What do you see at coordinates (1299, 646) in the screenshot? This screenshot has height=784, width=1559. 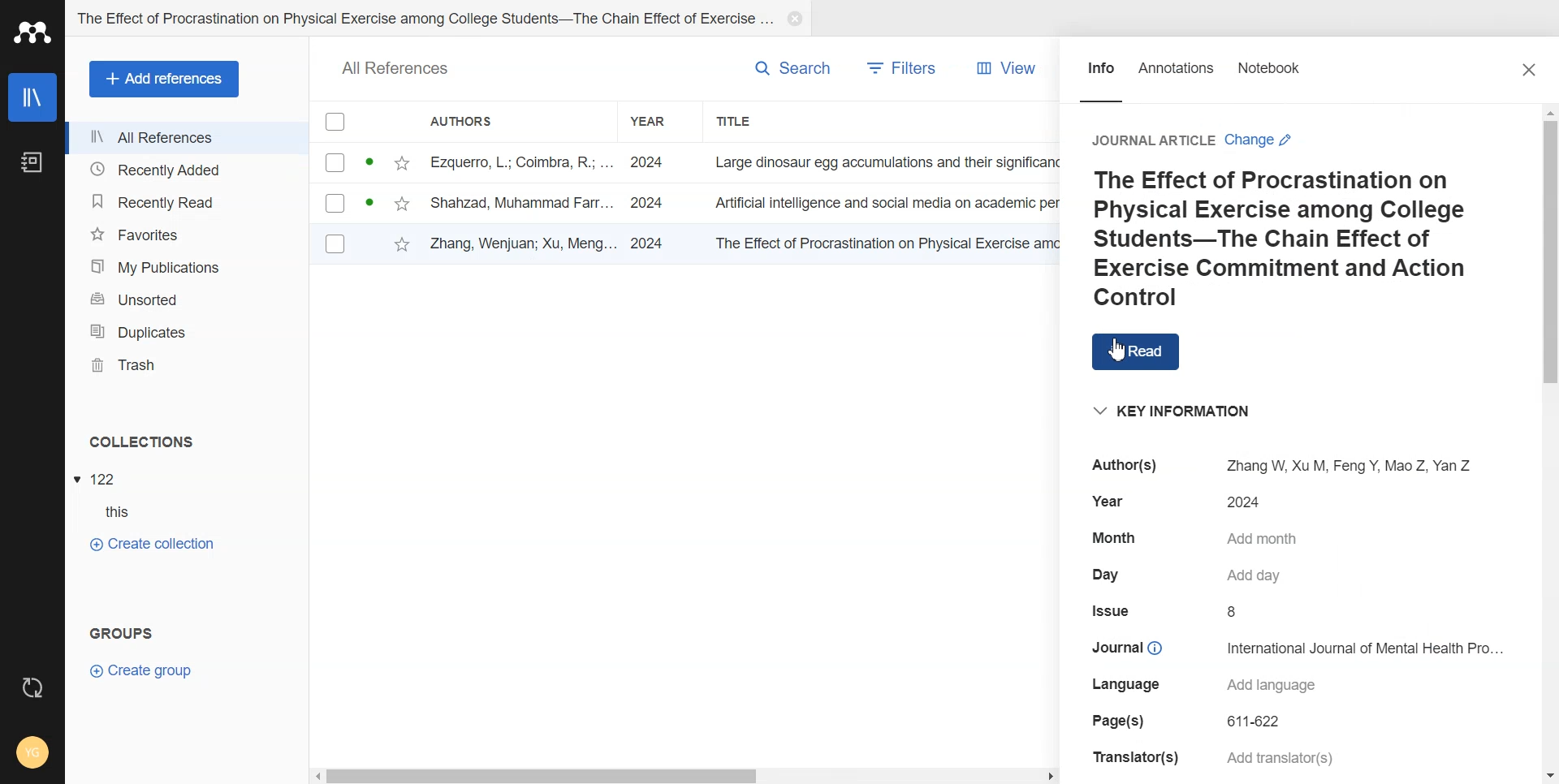 I see `Journal © International Journal of Mental Health Pro...` at bounding box center [1299, 646].